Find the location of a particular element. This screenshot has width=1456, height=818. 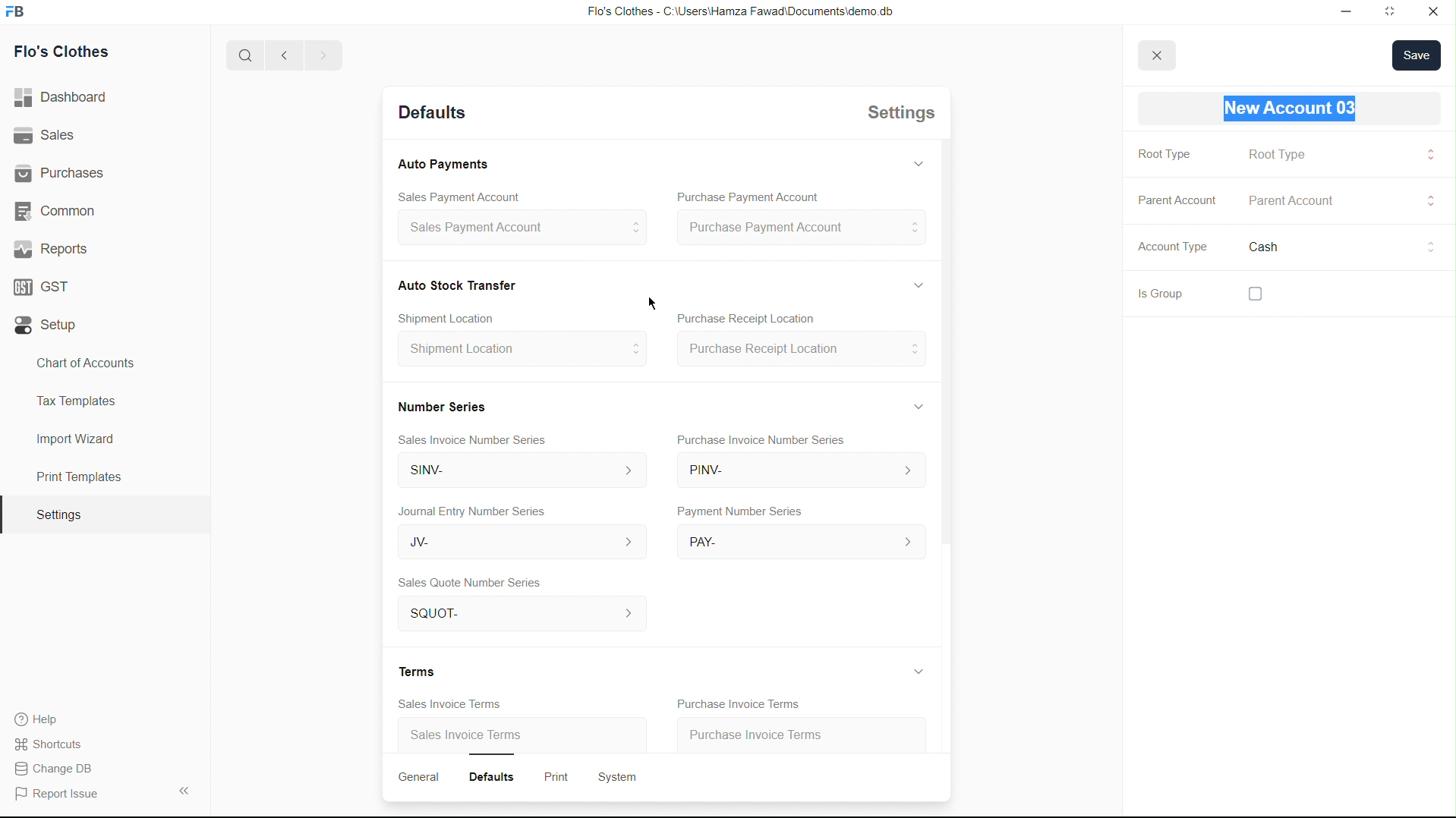

Purchase Payment Account is located at coordinates (742, 197).